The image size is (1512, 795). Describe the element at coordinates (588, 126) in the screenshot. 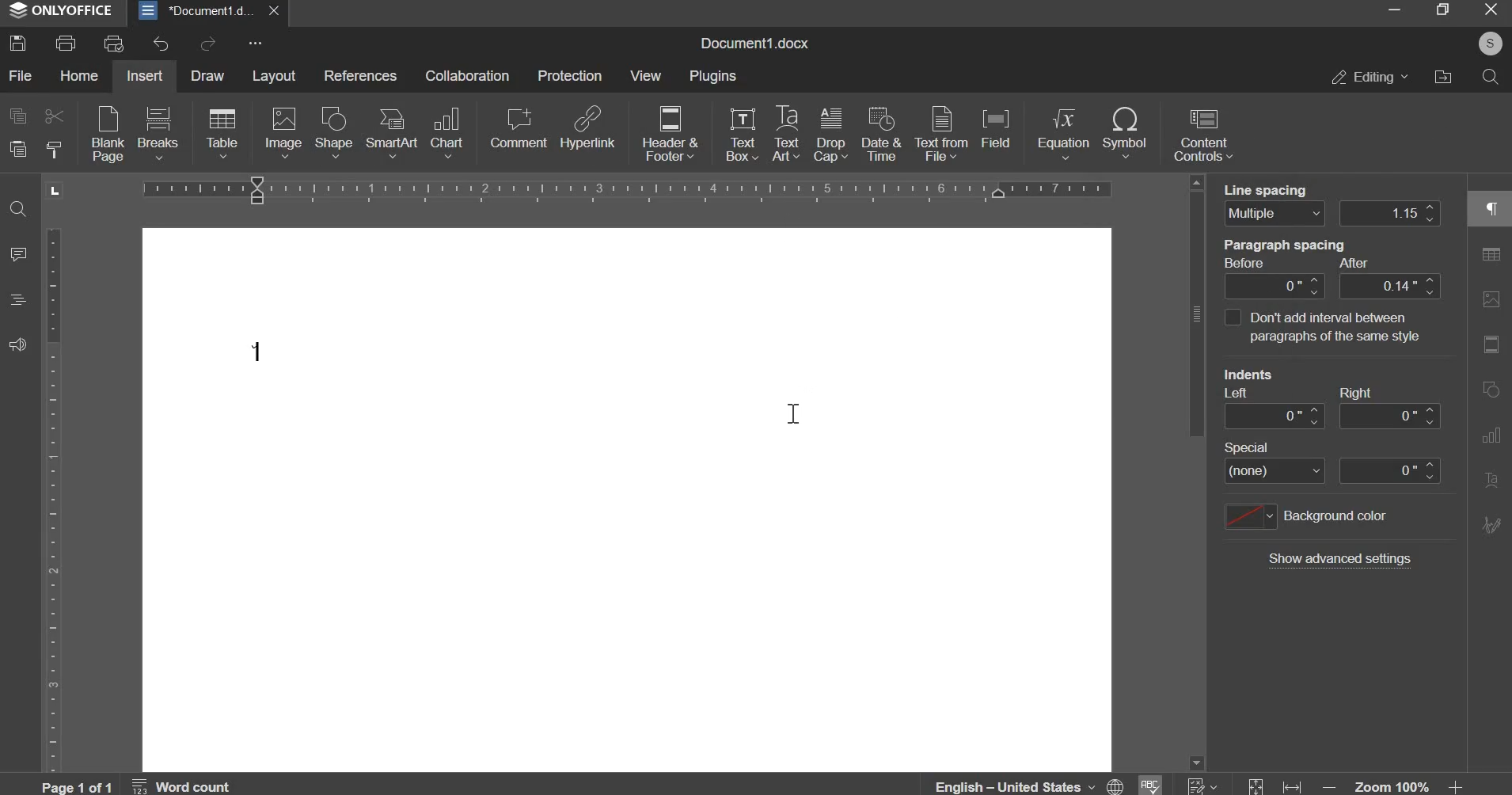

I see `hyperlink` at that location.